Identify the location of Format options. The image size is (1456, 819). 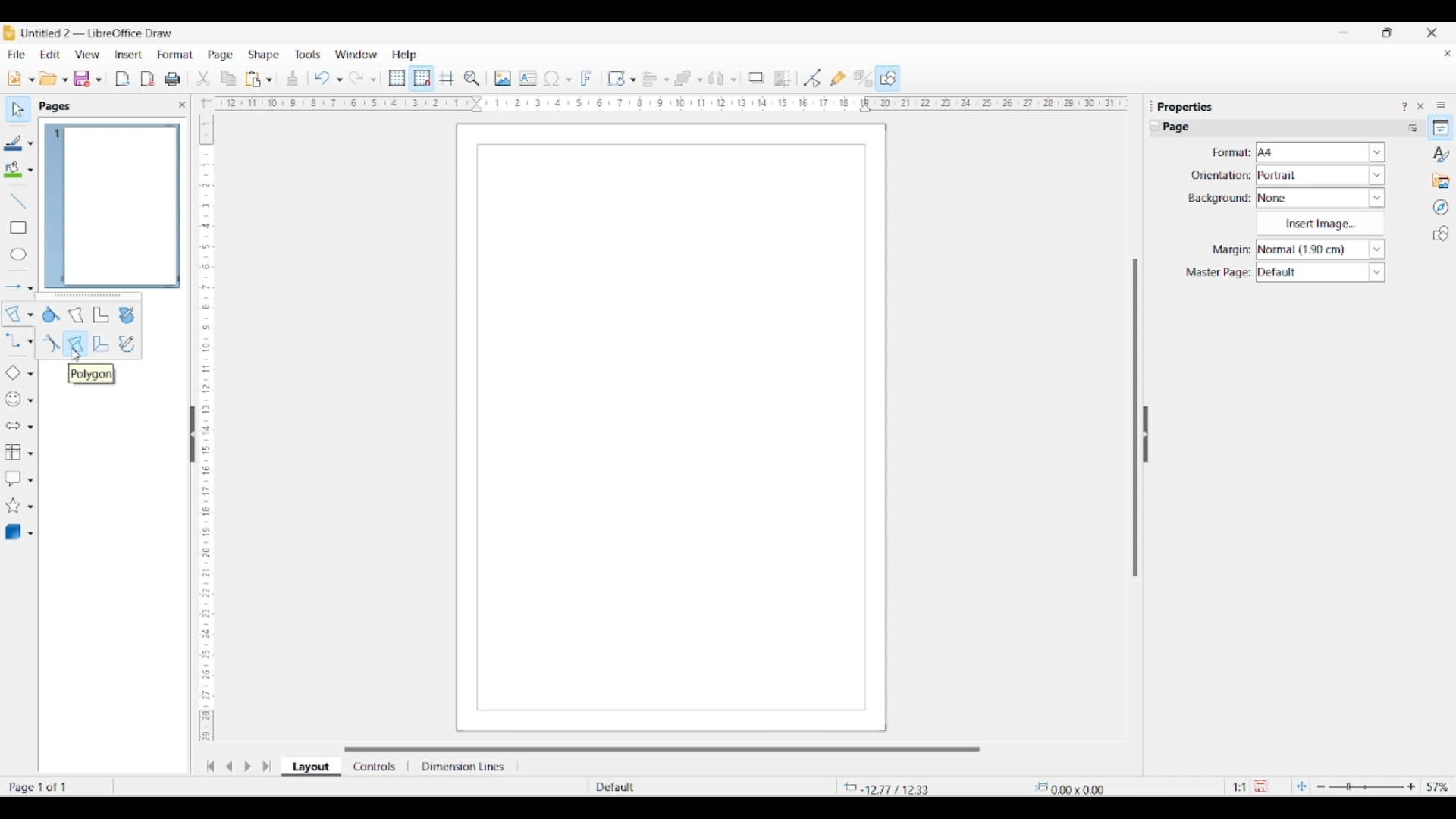
(1321, 152).